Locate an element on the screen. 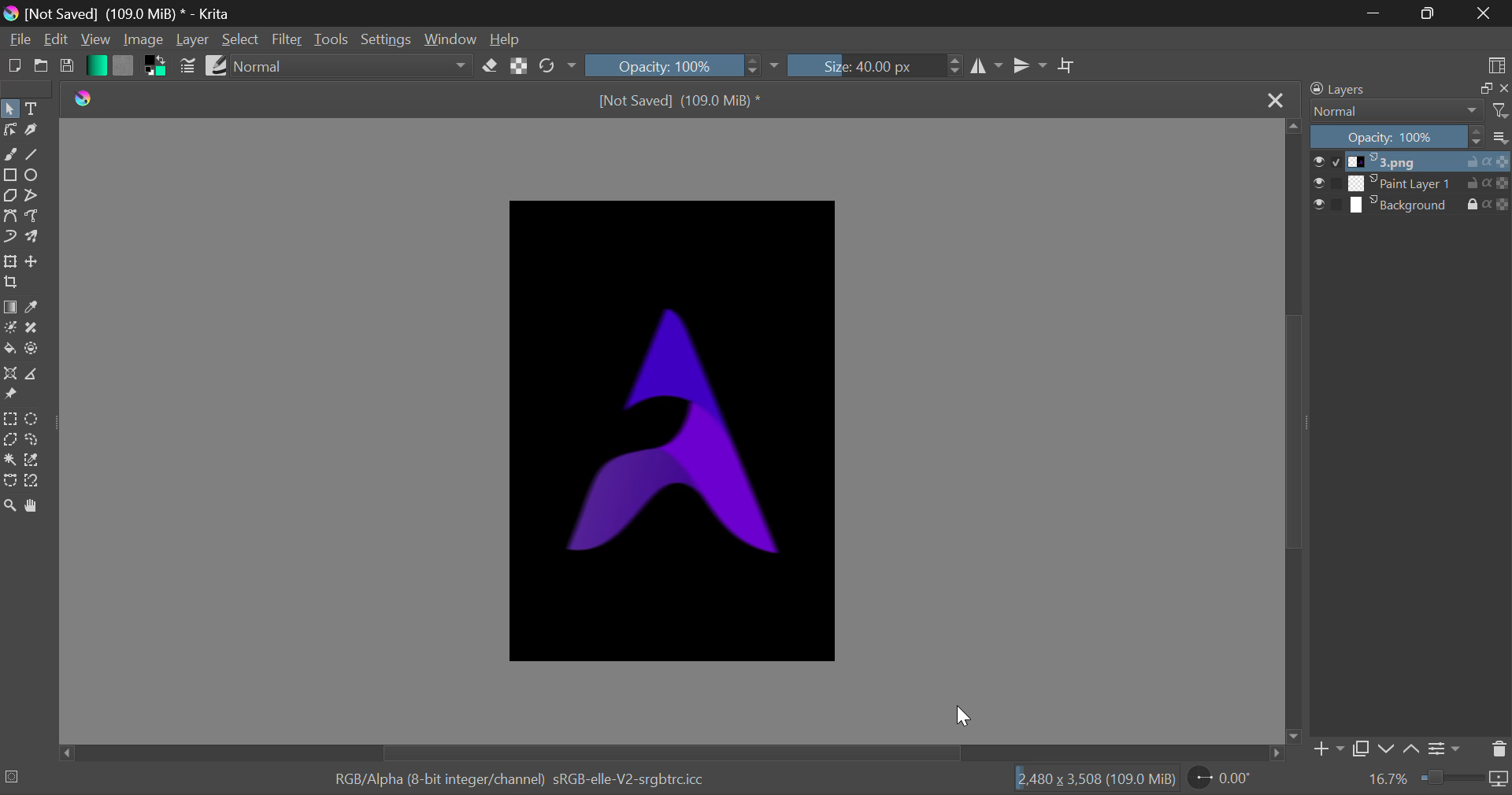  Freehand Selection Tool is located at coordinates (32, 441).